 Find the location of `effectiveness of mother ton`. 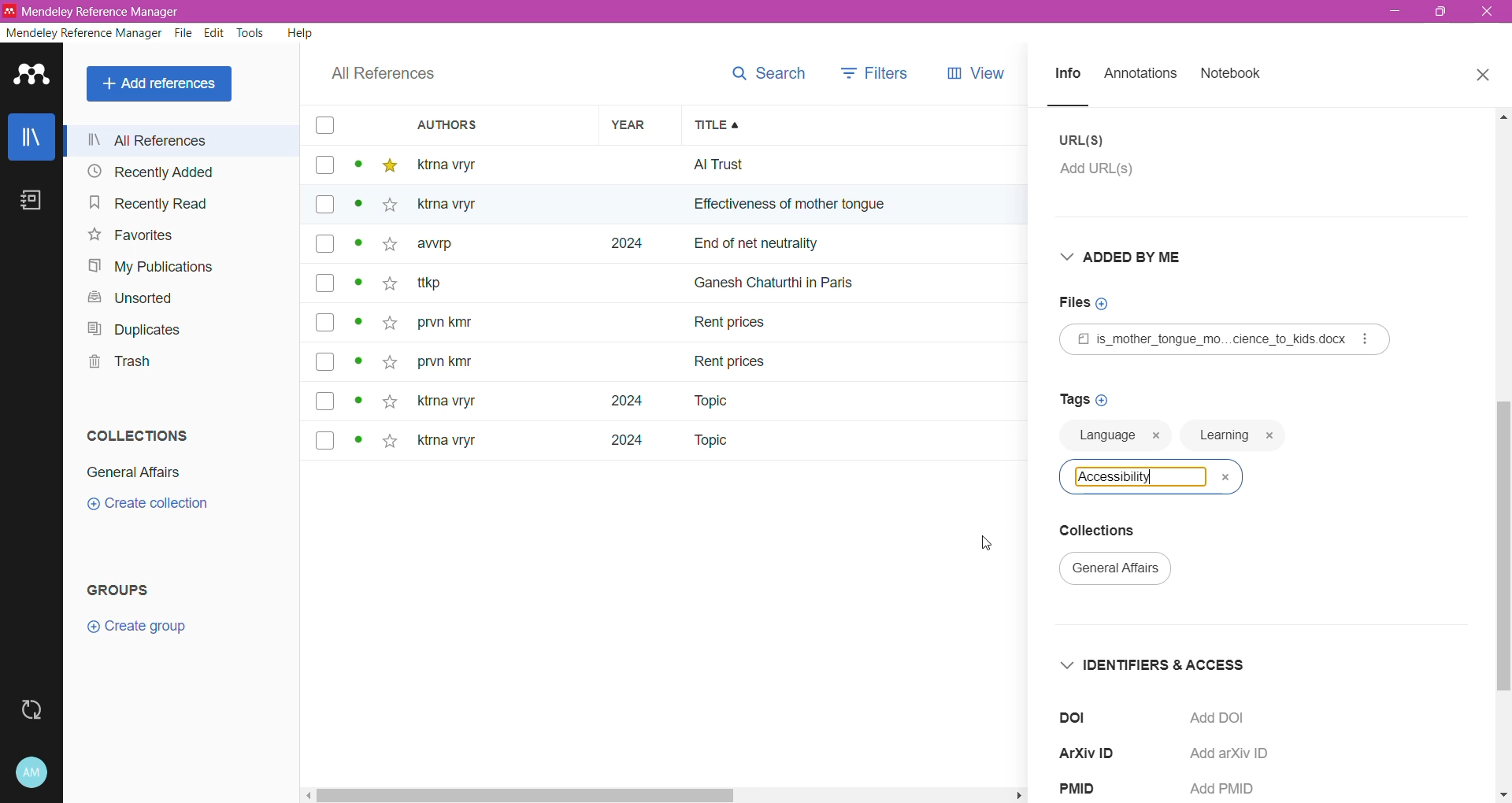

effectiveness of mother ton is located at coordinates (770, 208).